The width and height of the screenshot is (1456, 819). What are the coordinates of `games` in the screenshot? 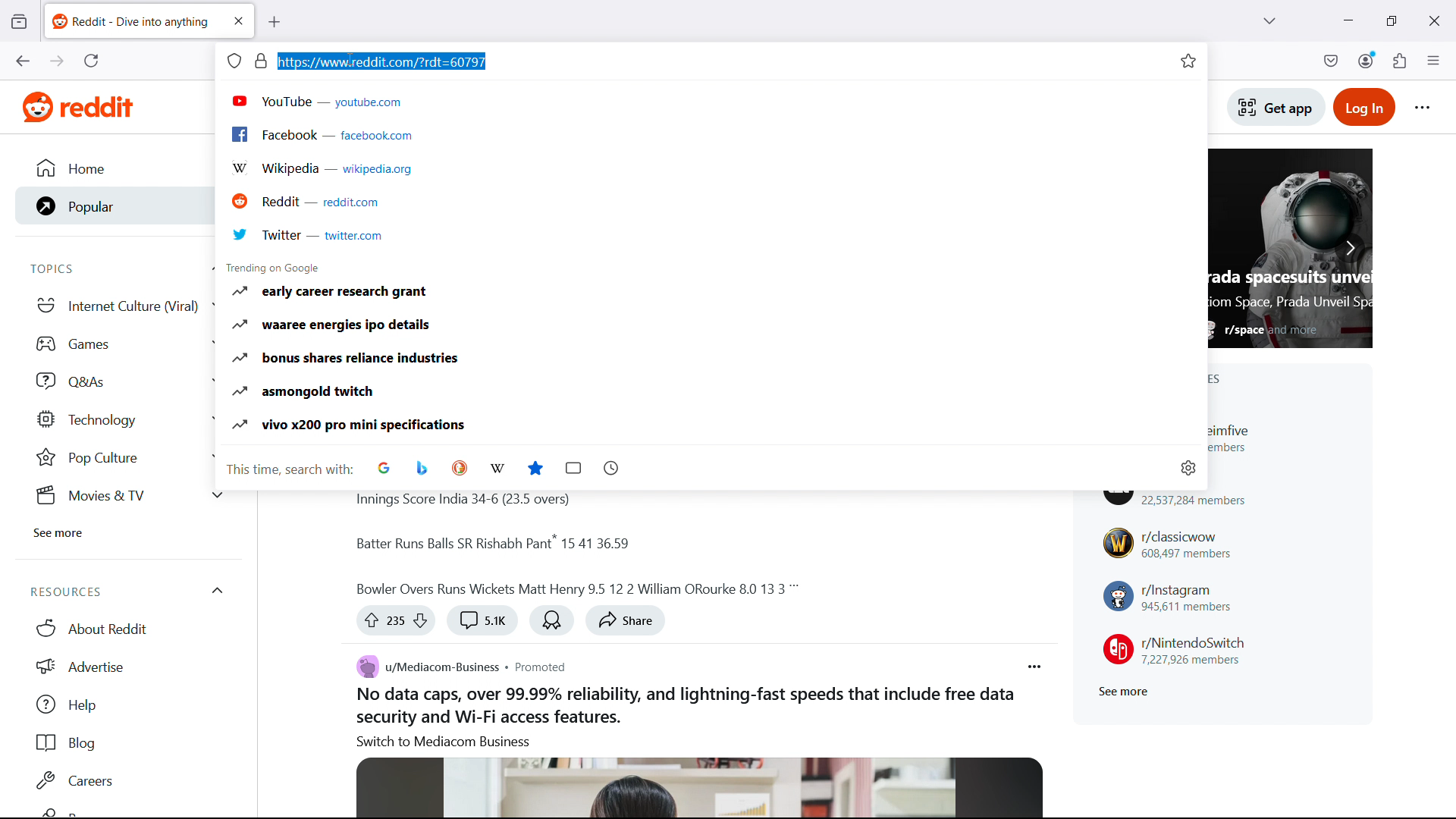 It's located at (114, 342).